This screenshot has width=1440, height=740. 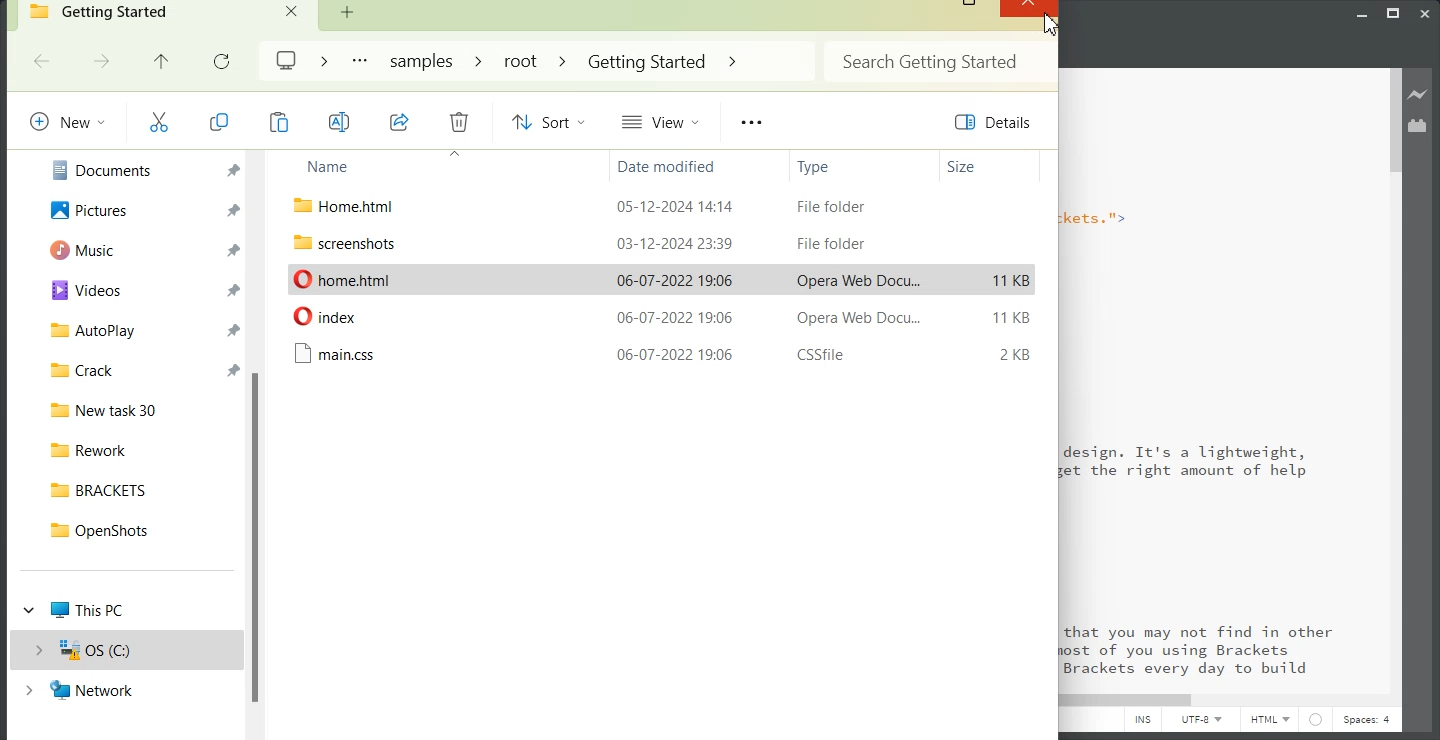 I want to click on Spaces: 4, so click(x=1369, y=722).